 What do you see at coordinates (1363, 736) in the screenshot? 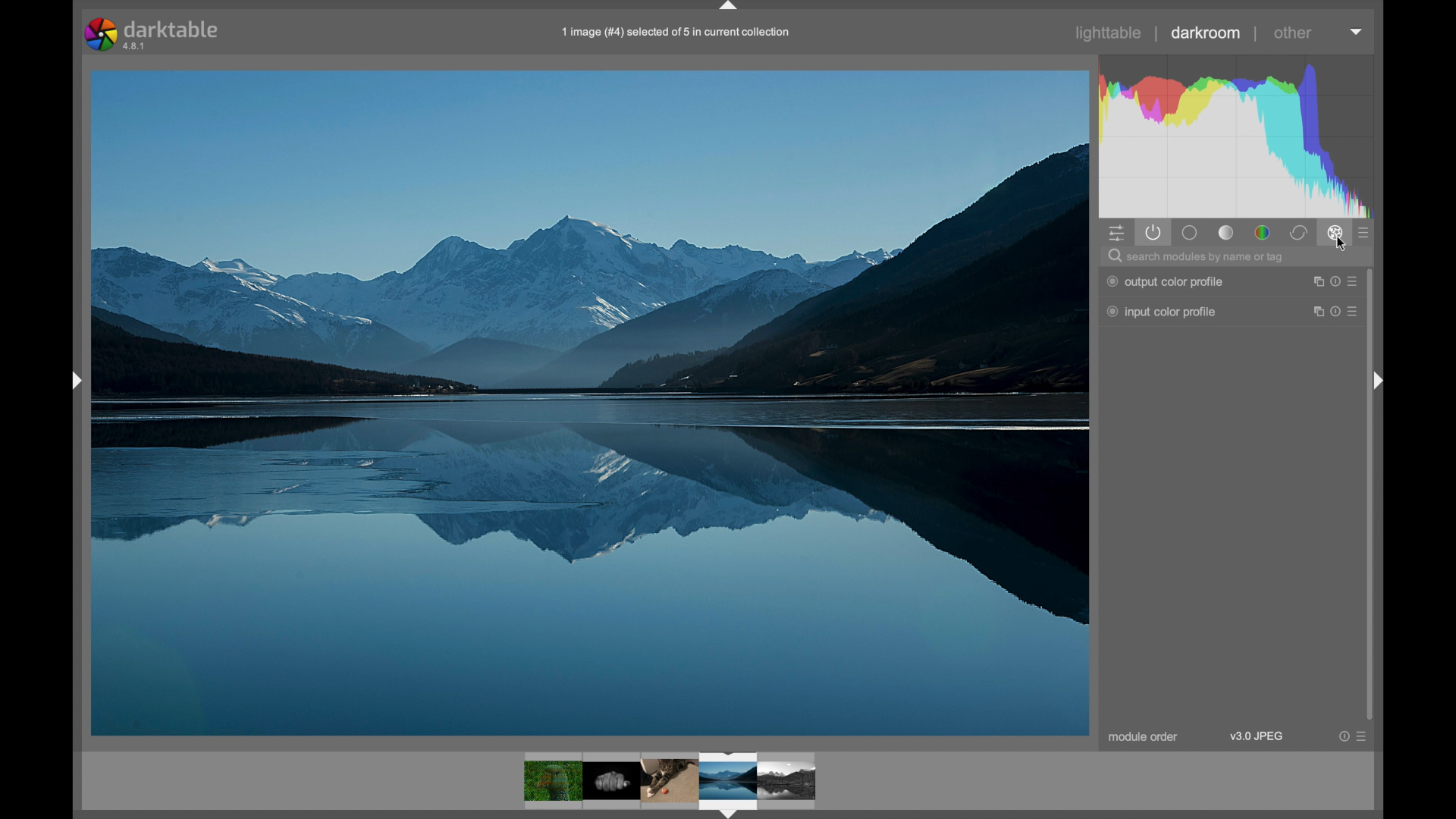
I see `more options` at bounding box center [1363, 736].